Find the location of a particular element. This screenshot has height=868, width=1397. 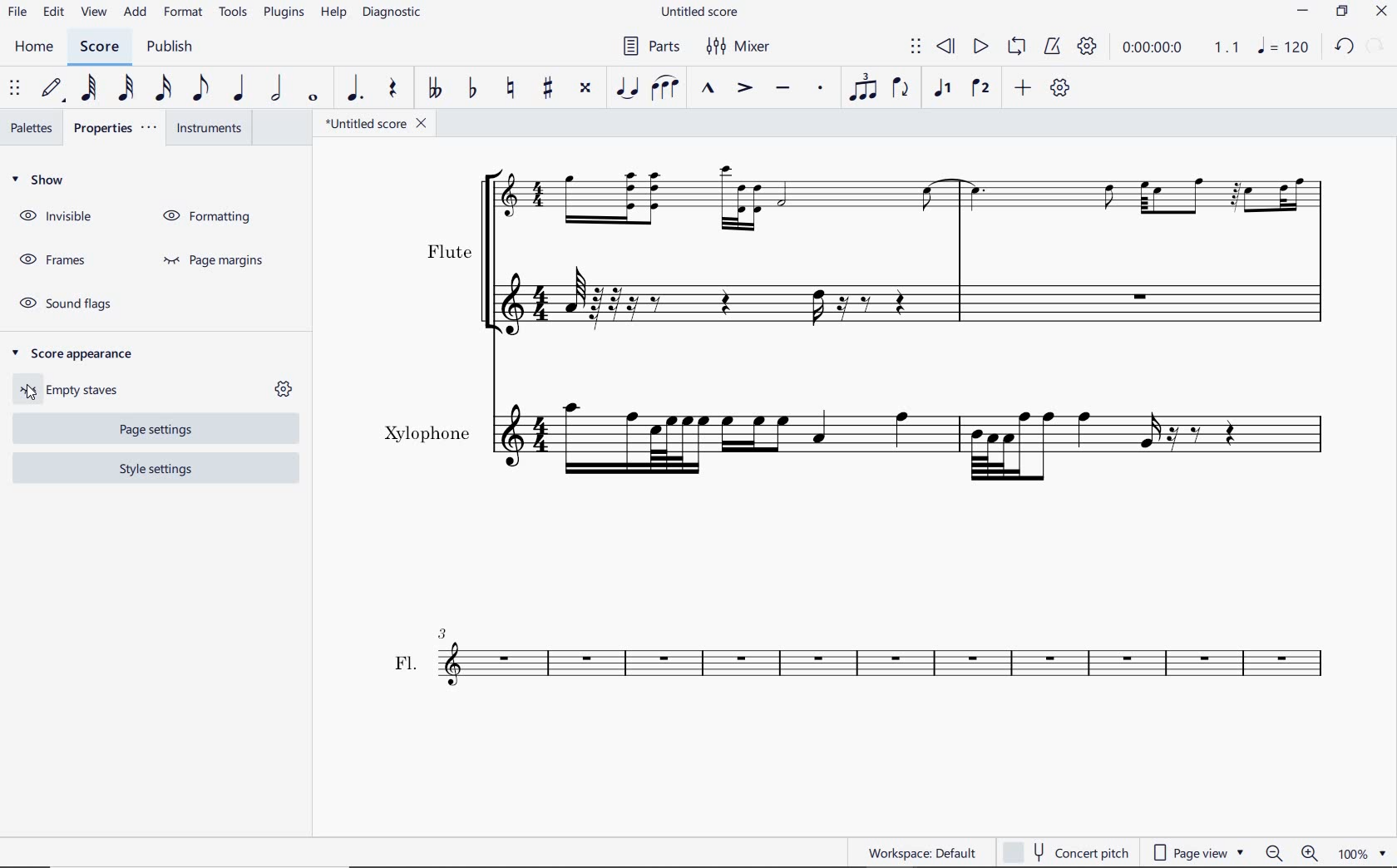

PARTS is located at coordinates (654, 45).